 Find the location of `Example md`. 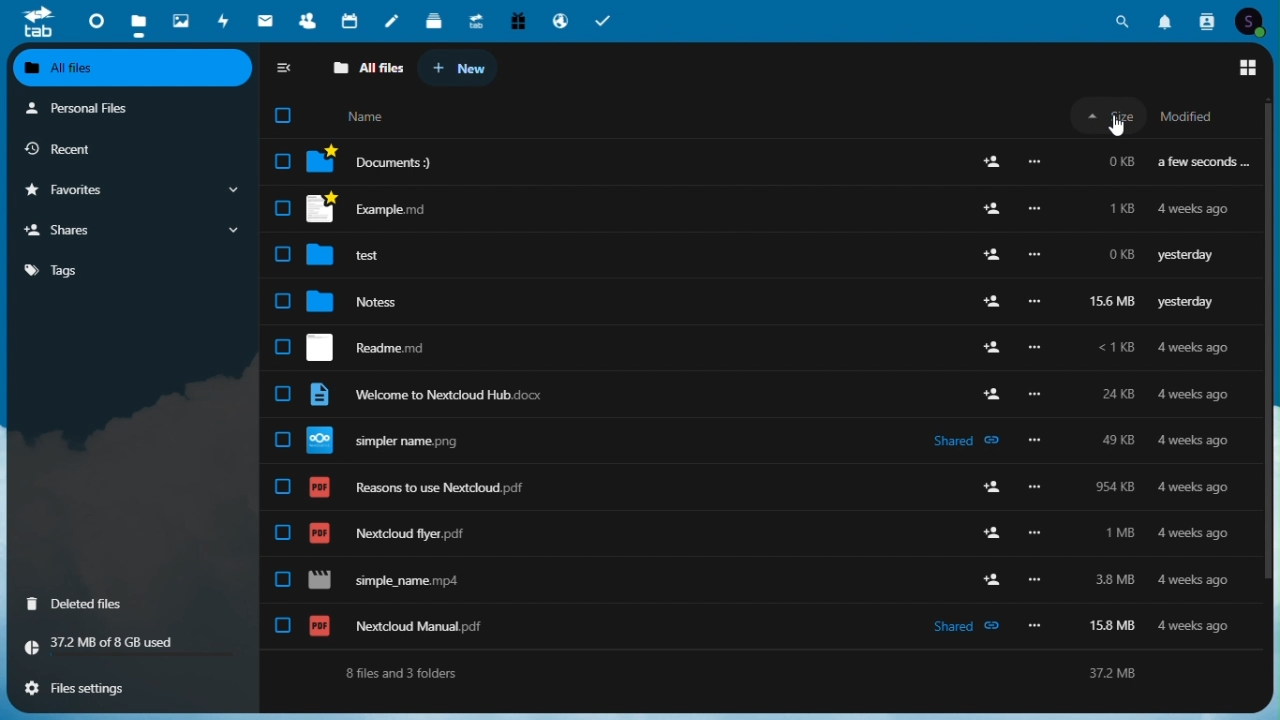

Example md is located at coordinates (756, 207).